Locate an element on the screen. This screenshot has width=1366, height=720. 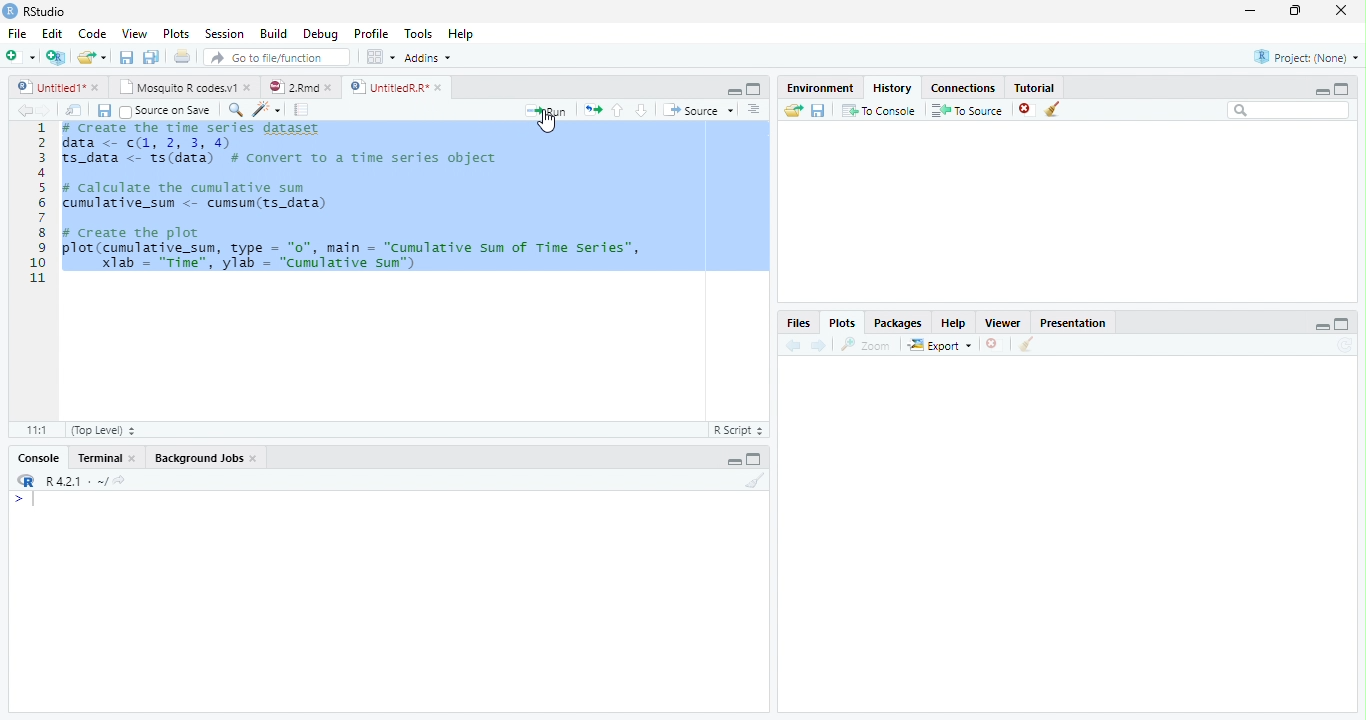
Delete is located at coordinates (992, 344).